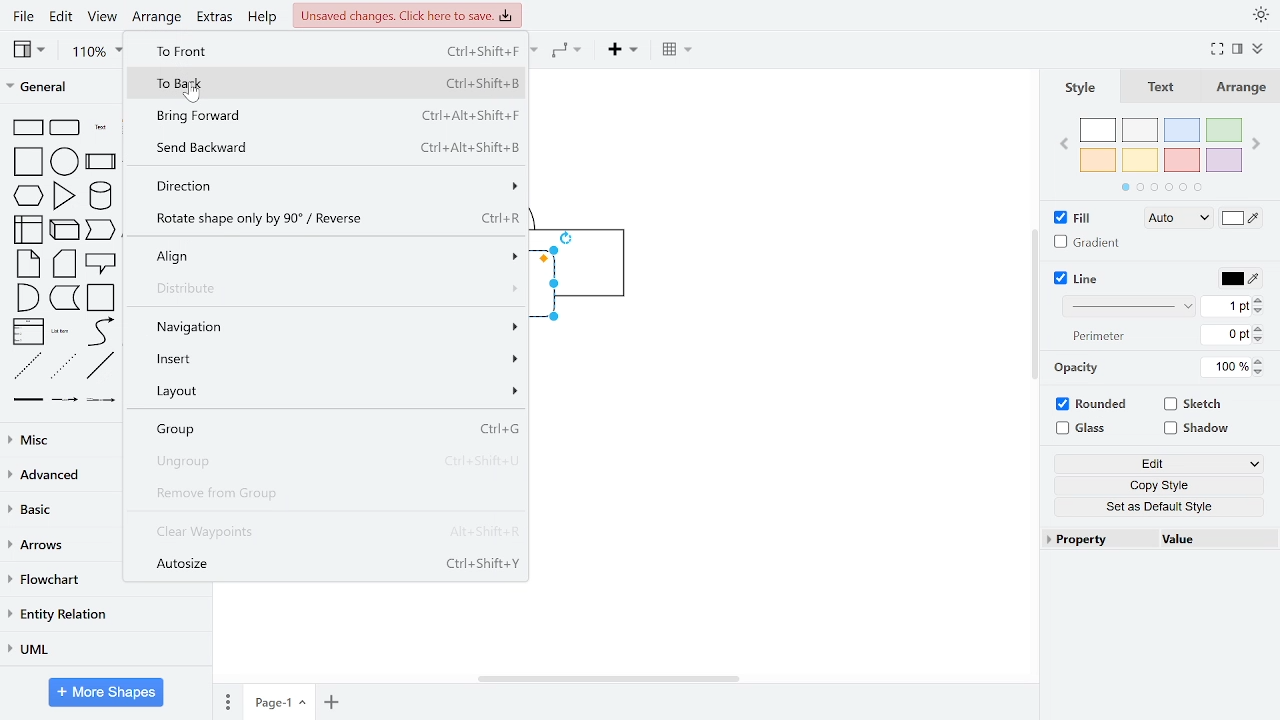 Image resolution: width=1280 pixels, height=720 pixels. I want to click on curve, so click(100, 332).